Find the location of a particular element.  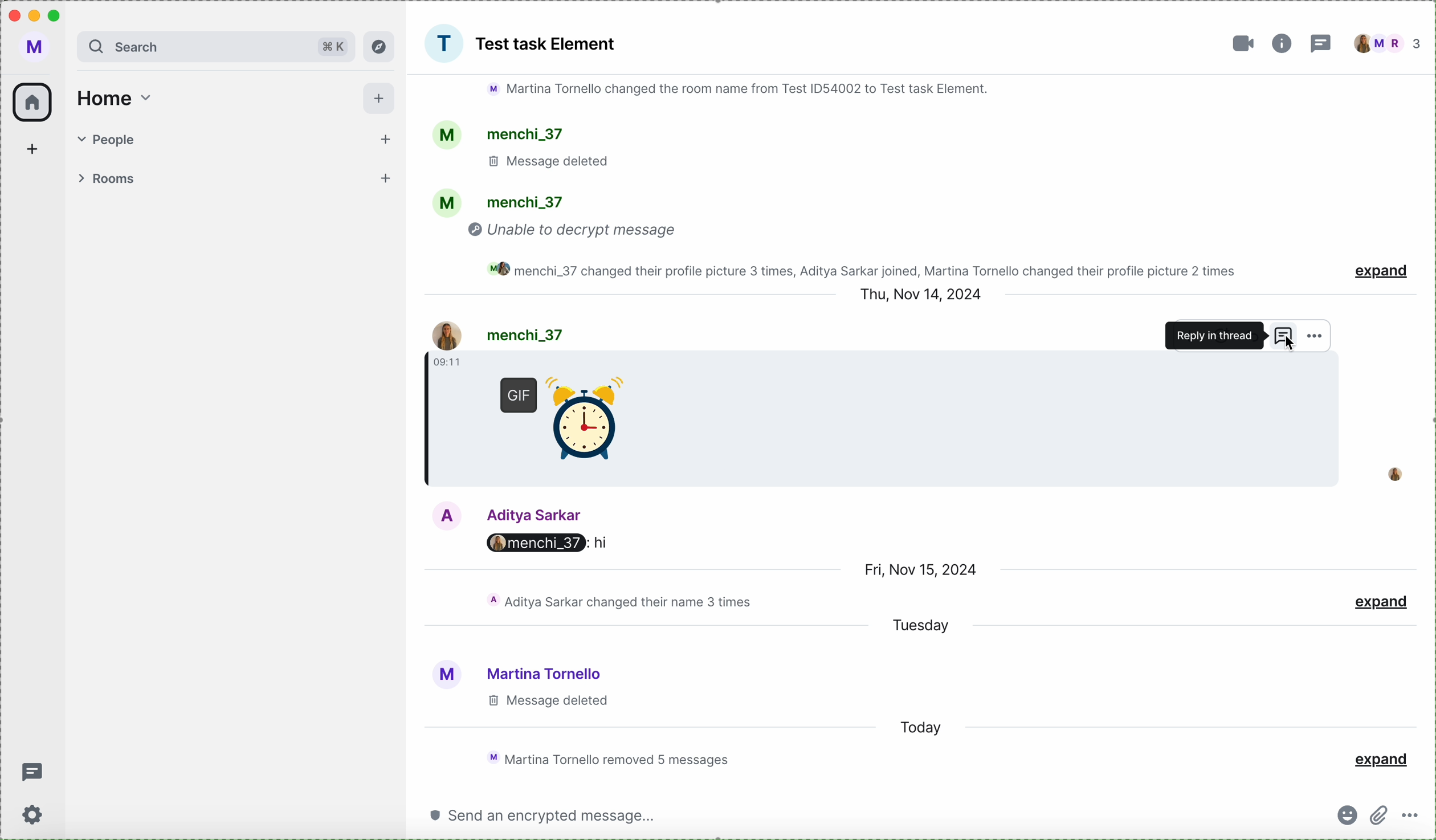

user is located at coordinates (501, 514).